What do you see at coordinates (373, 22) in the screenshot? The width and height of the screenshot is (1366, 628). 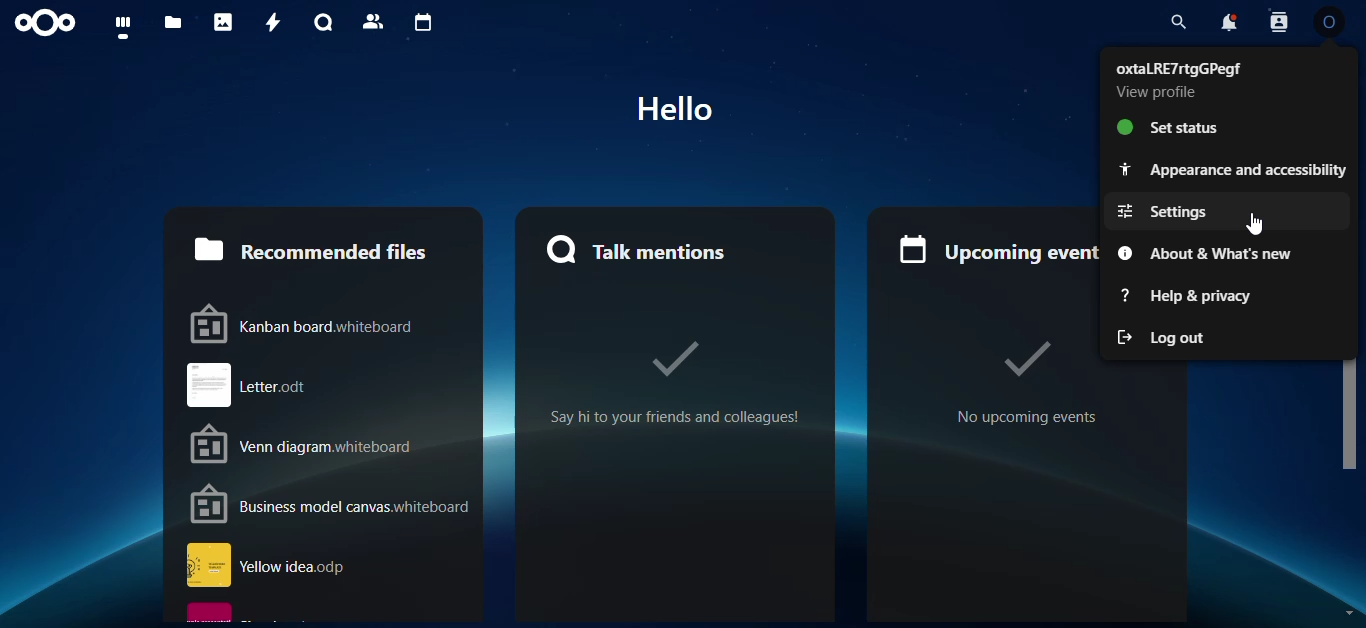 I see `contact` at bounding box center [373, 22].